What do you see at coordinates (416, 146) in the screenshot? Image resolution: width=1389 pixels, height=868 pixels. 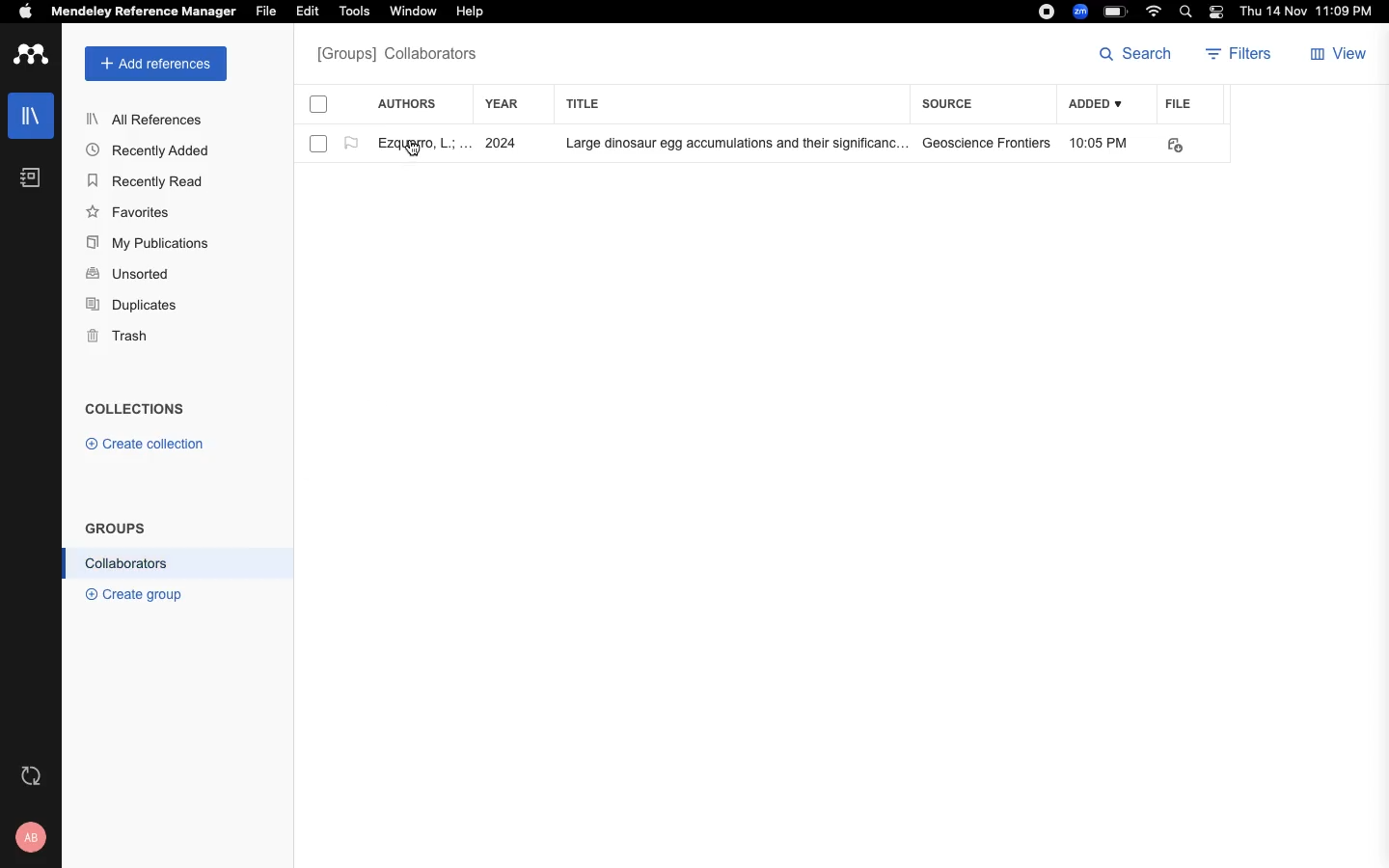 I see `author` at bounding box center [416, 146].